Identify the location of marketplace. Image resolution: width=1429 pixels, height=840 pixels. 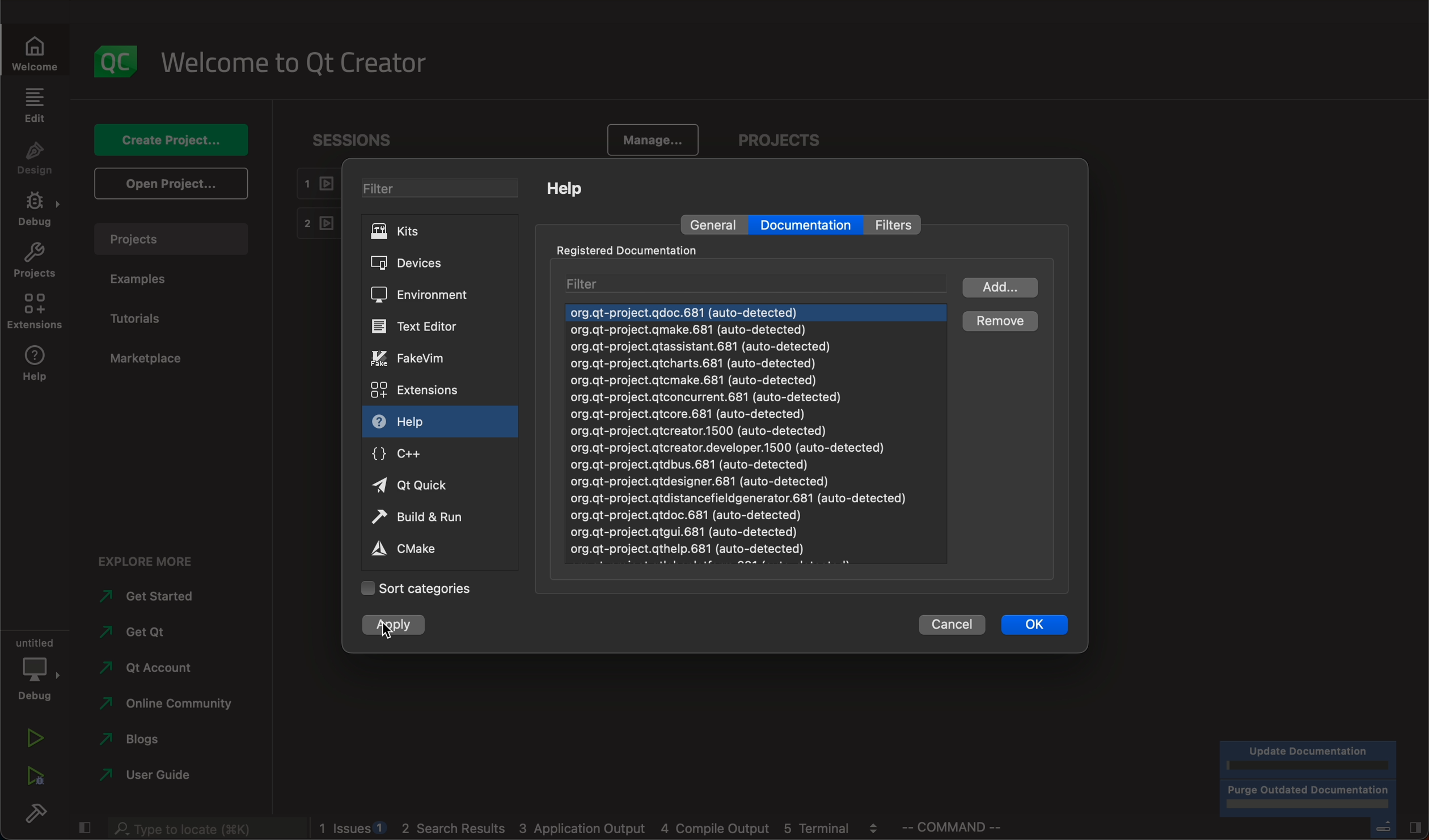
(146, 359).